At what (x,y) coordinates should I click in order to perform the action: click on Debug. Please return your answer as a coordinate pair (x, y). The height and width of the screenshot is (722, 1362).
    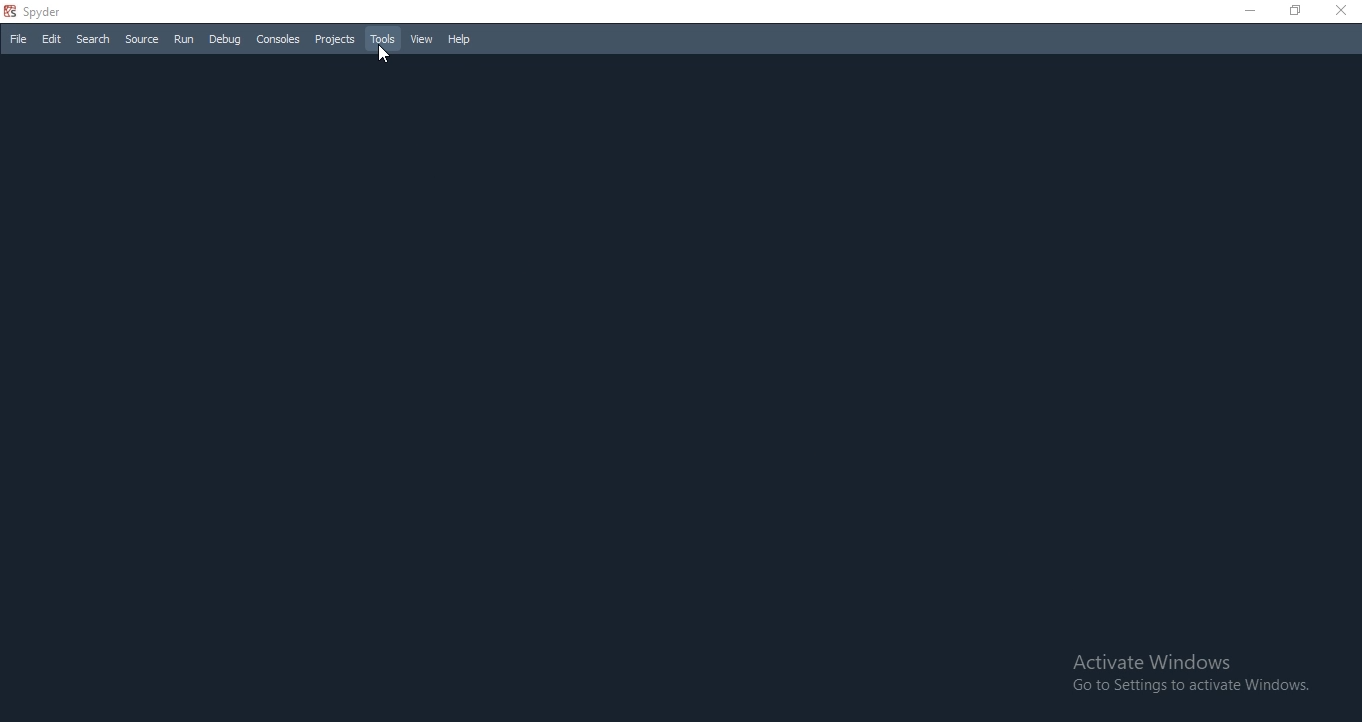
    Looking at the image, I should click on (225, 40).